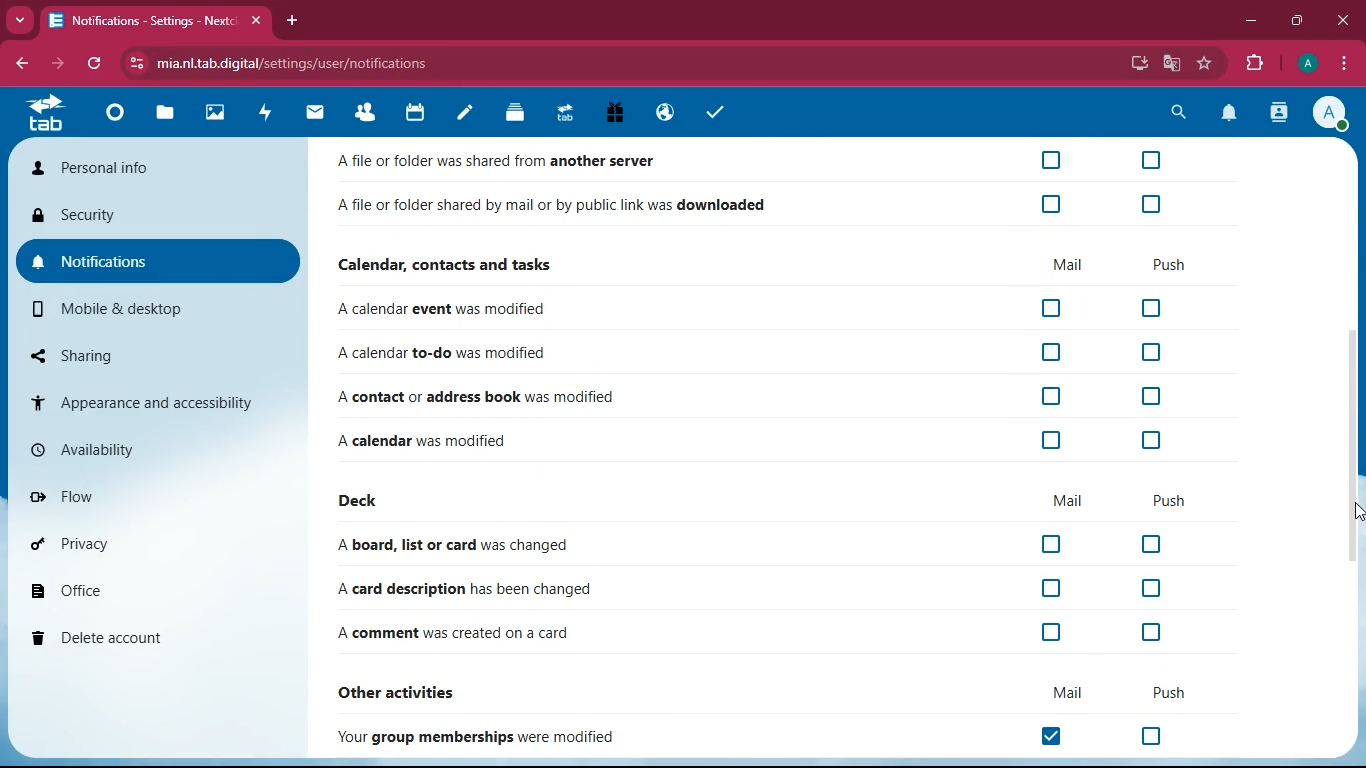 The height and width of the screenshot is (768, 1366). I want to click on minimize, so click(1250, 19).